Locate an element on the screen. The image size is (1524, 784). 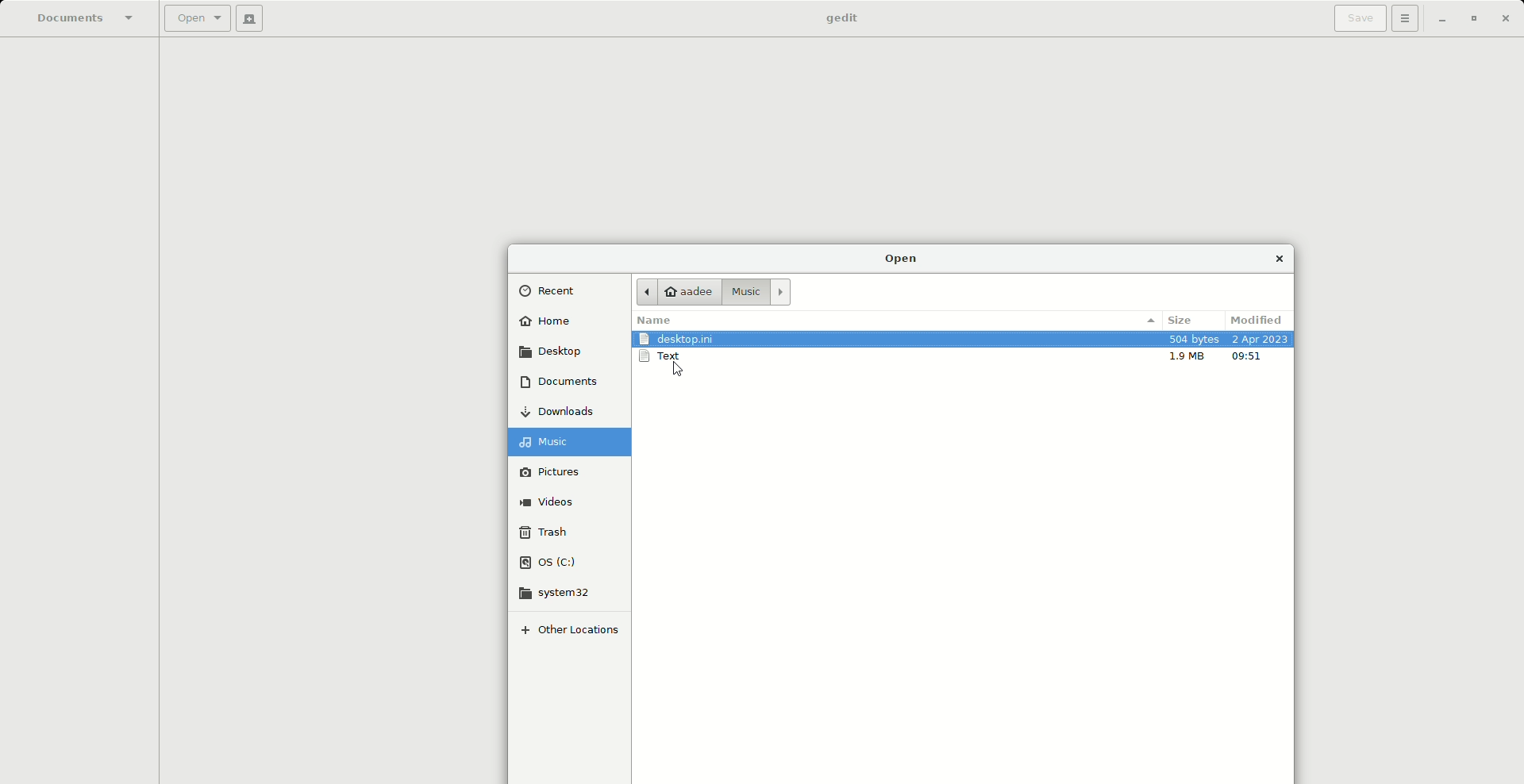
Documents is located at coordinates (84, 19).